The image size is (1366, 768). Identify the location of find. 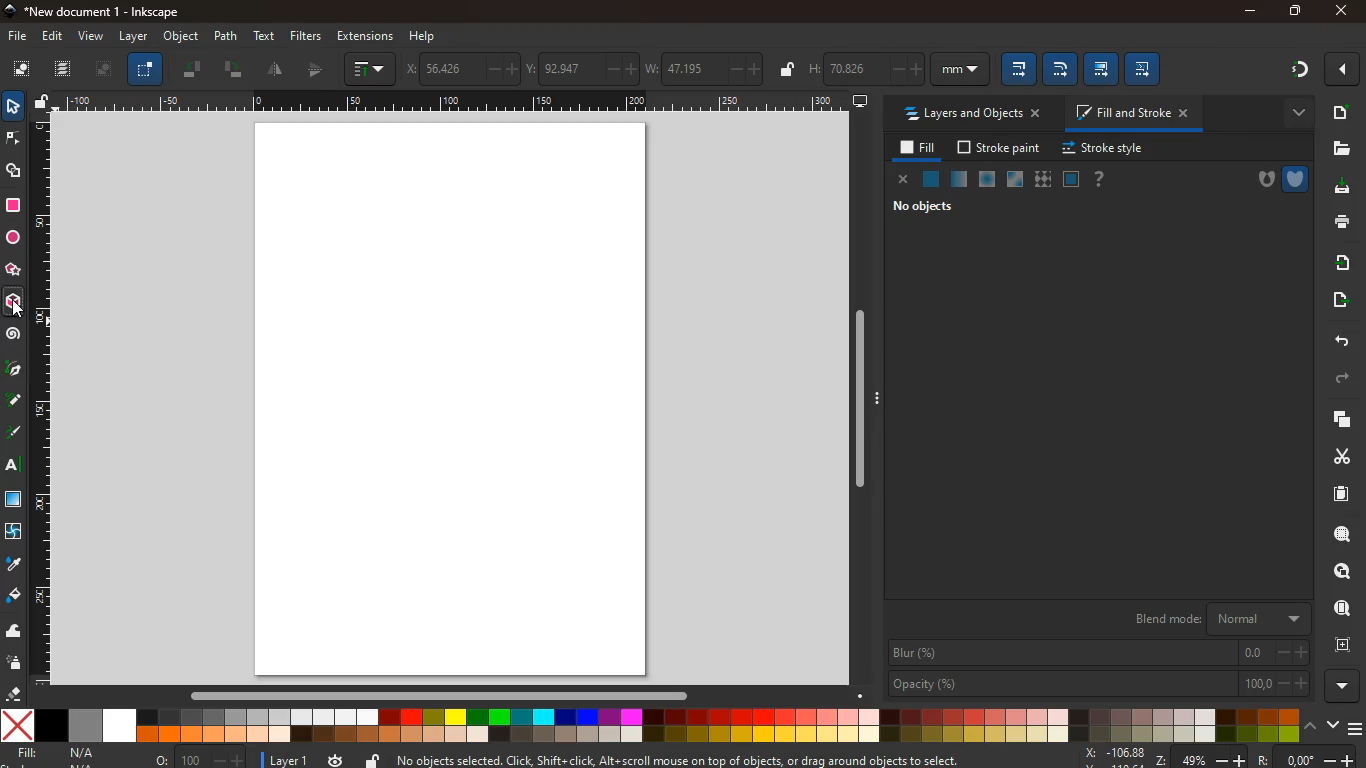
(1343, 571).